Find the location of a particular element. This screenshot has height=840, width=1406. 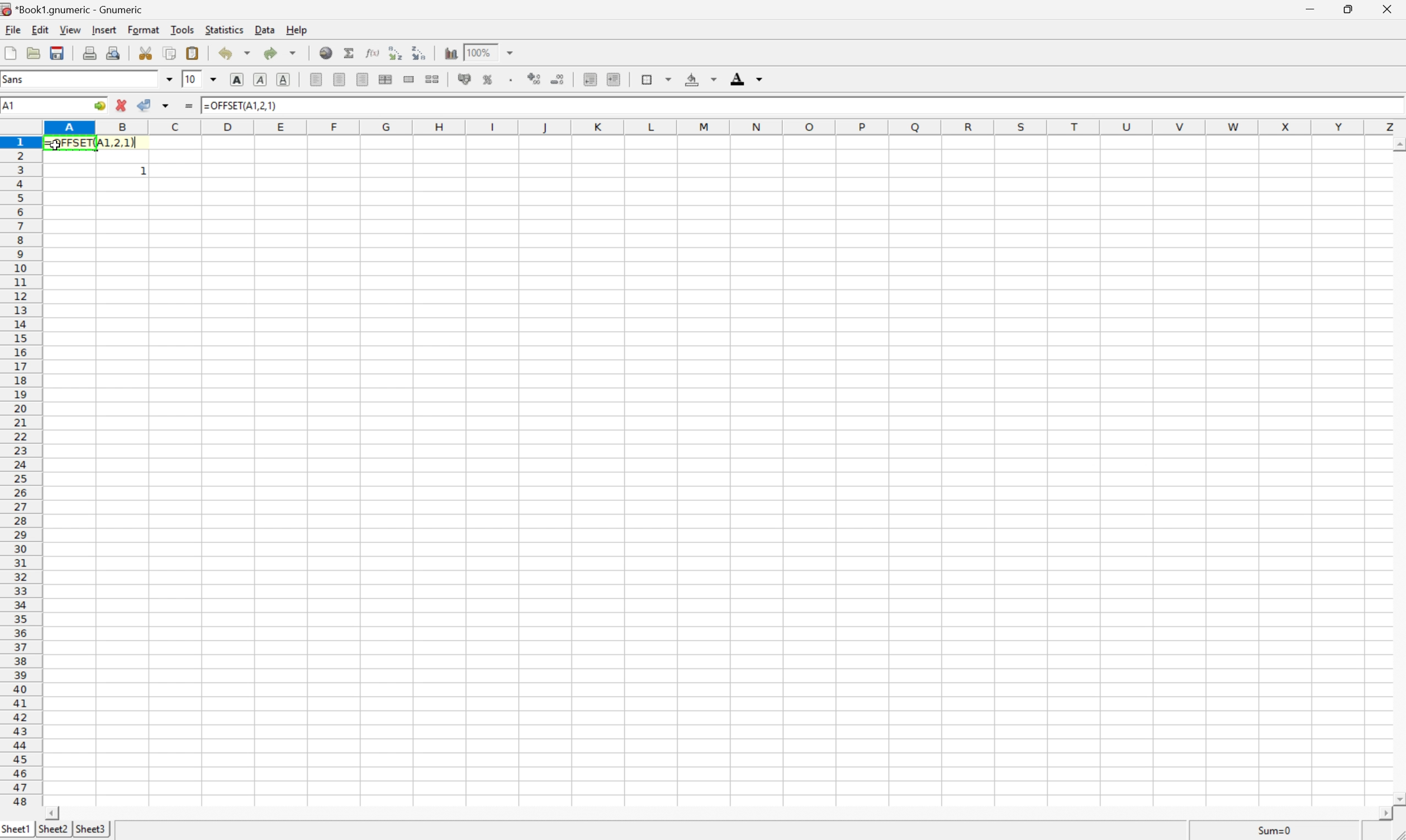

accept changes in multiple cells is located at coordinates (158, 103).